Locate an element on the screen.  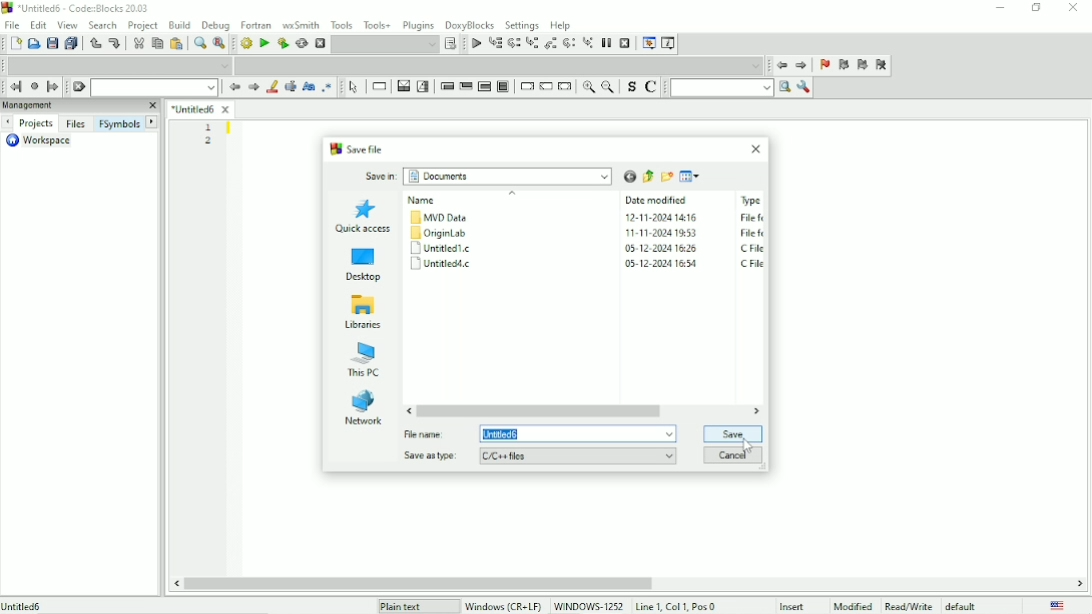
Continue-instruction is located at coordinates (546, 87).